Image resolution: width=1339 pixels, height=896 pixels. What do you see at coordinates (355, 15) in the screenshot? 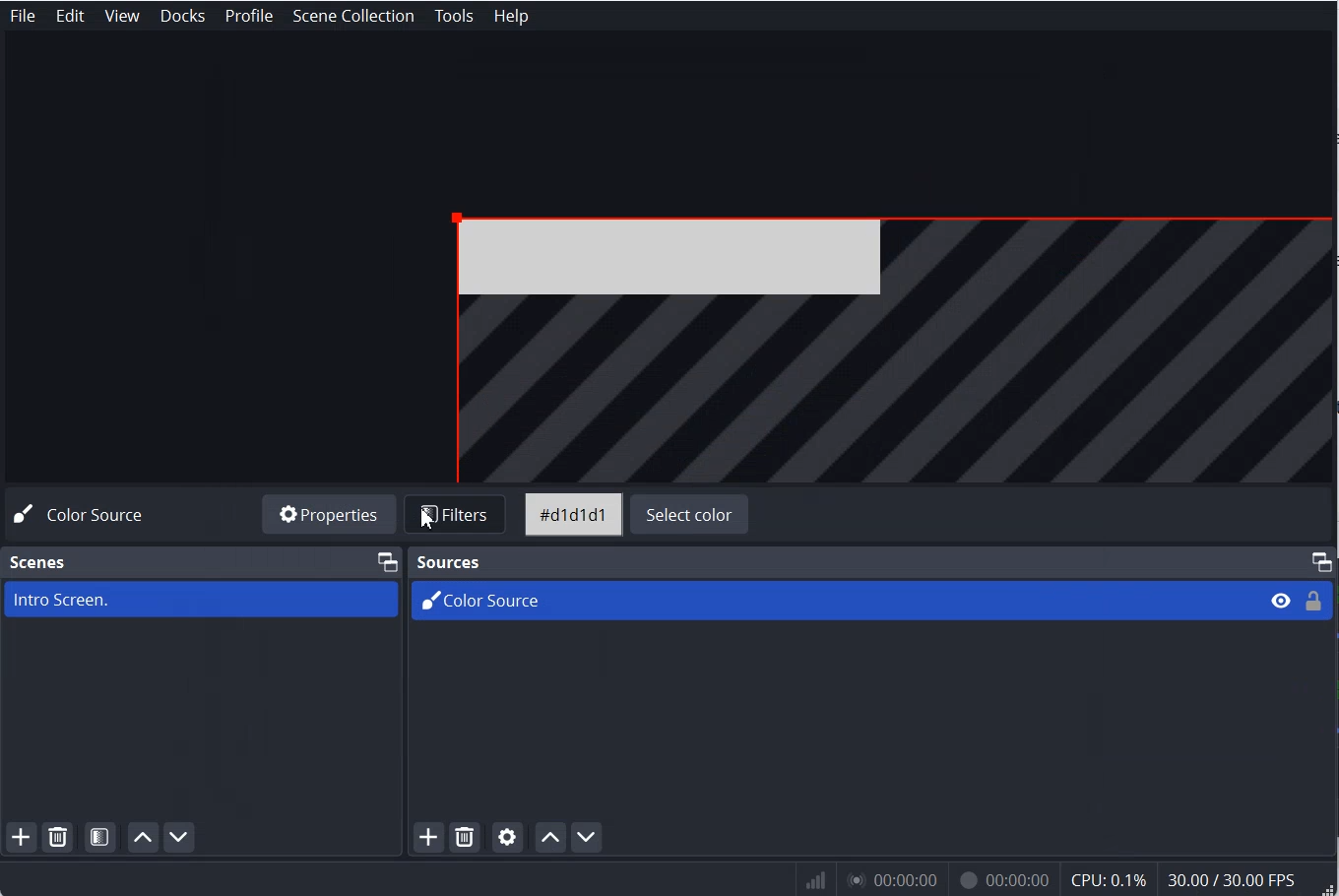
I see `Scene Collection` at bounding box center [355, 15].